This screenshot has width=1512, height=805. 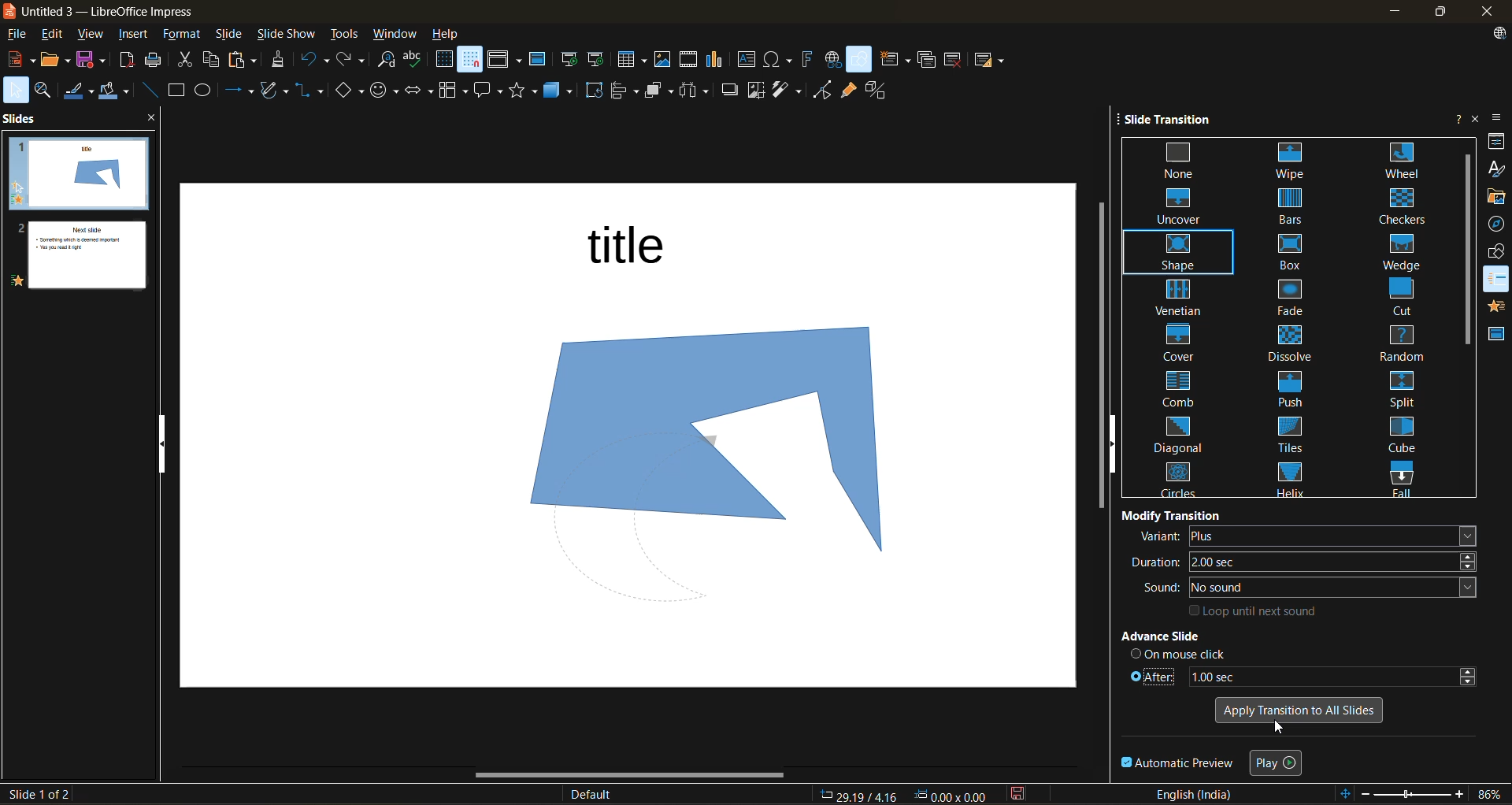 I want to click on lines and arrows, so click(x=239, y=92).